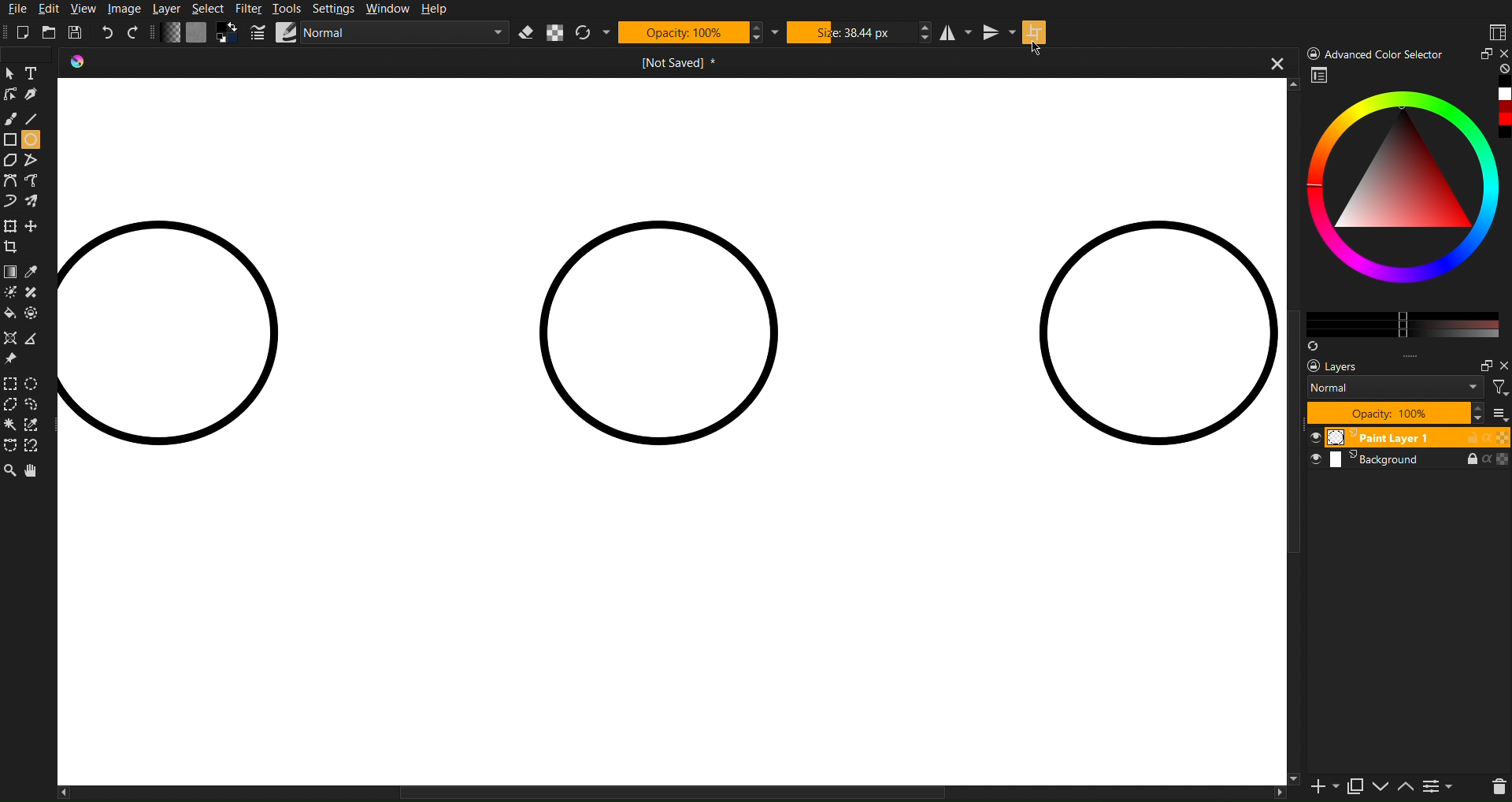 The height and width of the screenshot is (802, 1512). Describe the element at coordinates (10, 425) in the screenshot. I see `Wind` at that location.